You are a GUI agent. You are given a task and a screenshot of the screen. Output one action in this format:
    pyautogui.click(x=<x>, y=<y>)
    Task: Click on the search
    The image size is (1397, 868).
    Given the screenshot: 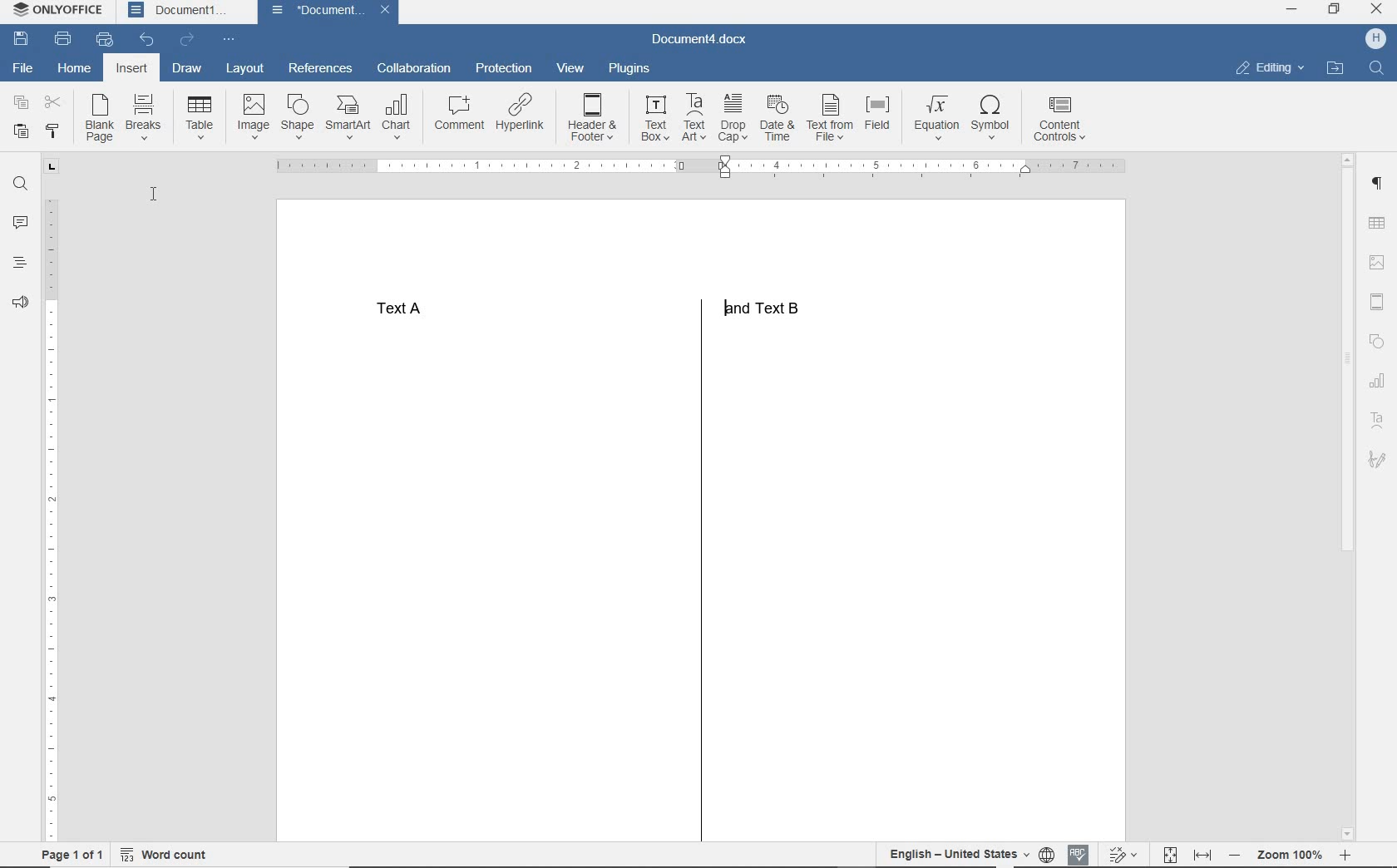 What is the action you would take?
    pyautogui.click(x=1372, y=68)
    